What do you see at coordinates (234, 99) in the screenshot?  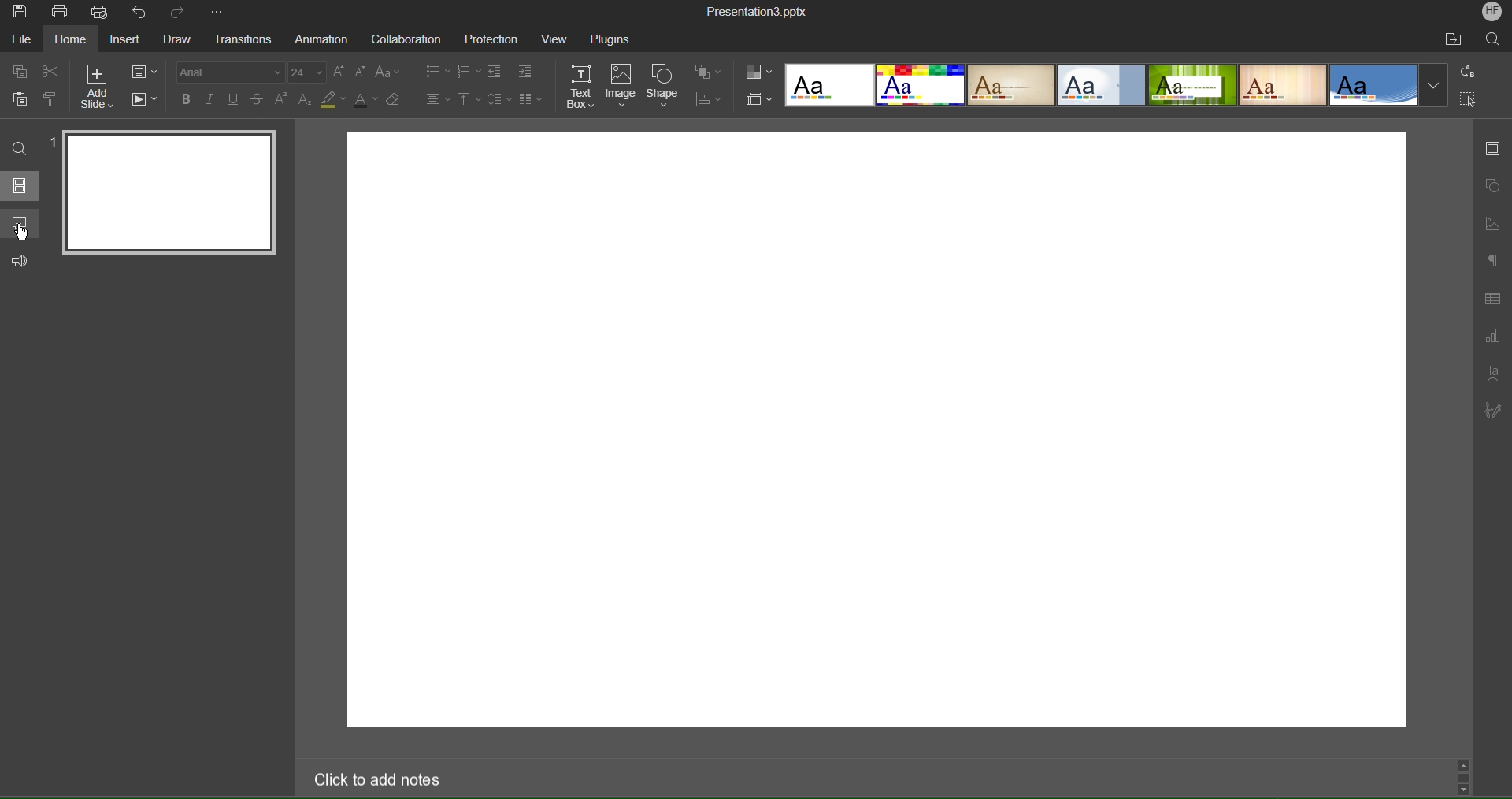 I see `Underline` at bounding box center [234, 99].